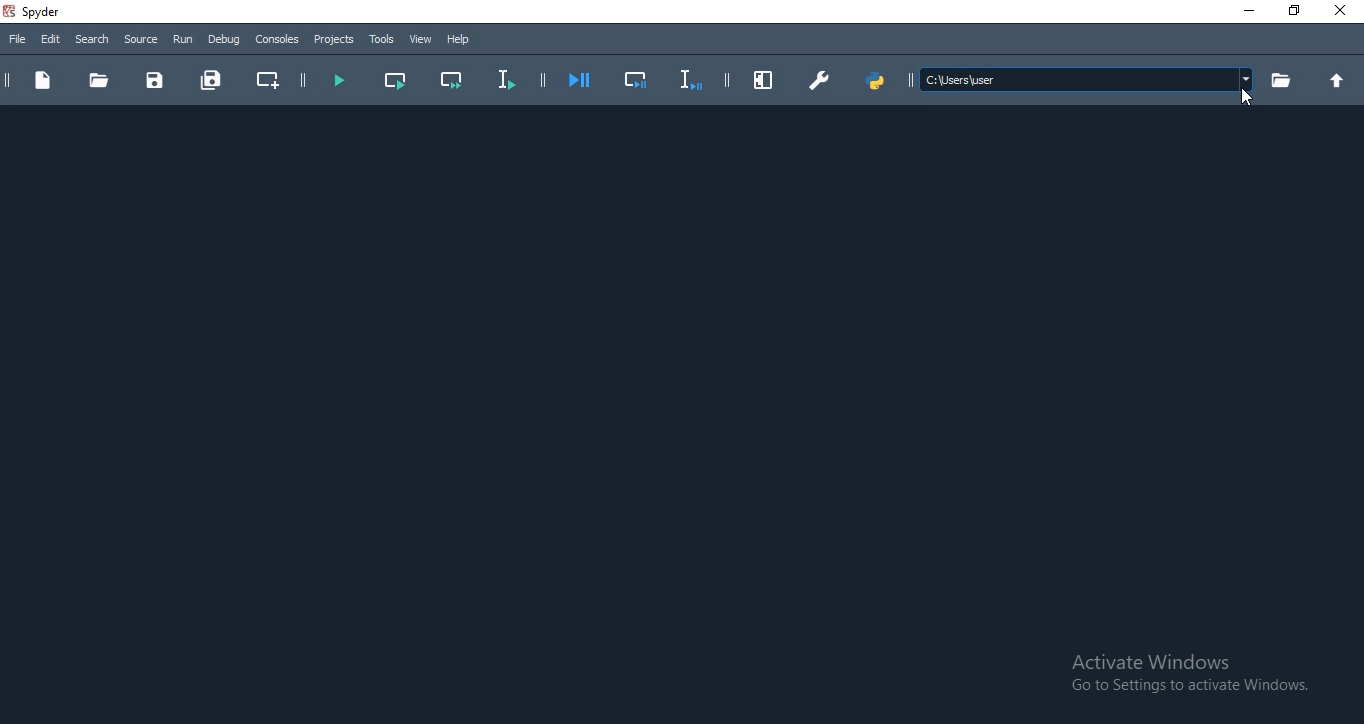 This screenshot has height=724, width=1364. Describe the element at coordinates (1246, 99) in the screenshot. I see `Cursor` at that location.